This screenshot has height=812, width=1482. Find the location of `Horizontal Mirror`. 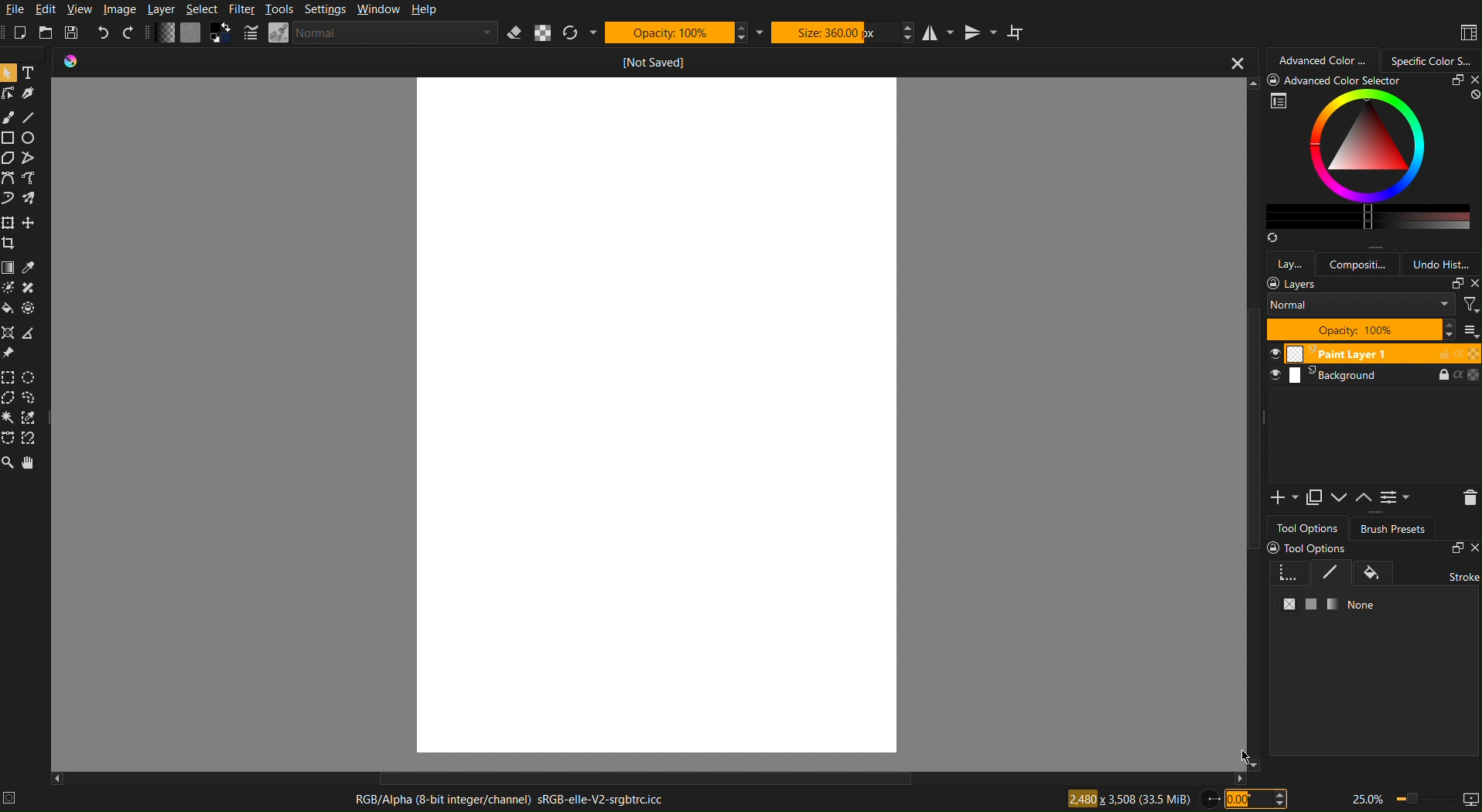

Horizontal Mirror is located at coordinates (939, 33).